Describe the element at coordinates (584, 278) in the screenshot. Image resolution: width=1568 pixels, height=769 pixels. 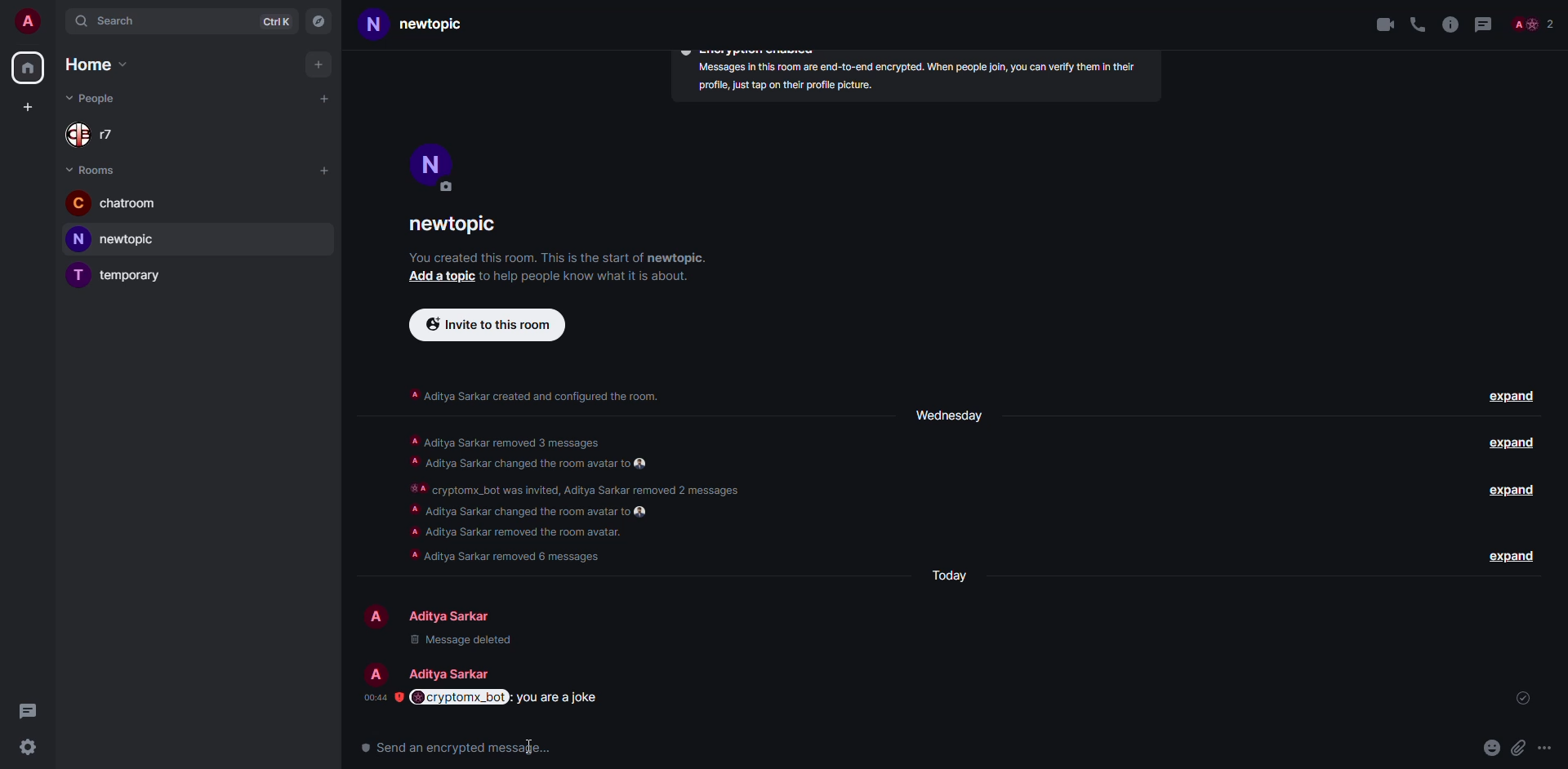
I see `info` at that location.